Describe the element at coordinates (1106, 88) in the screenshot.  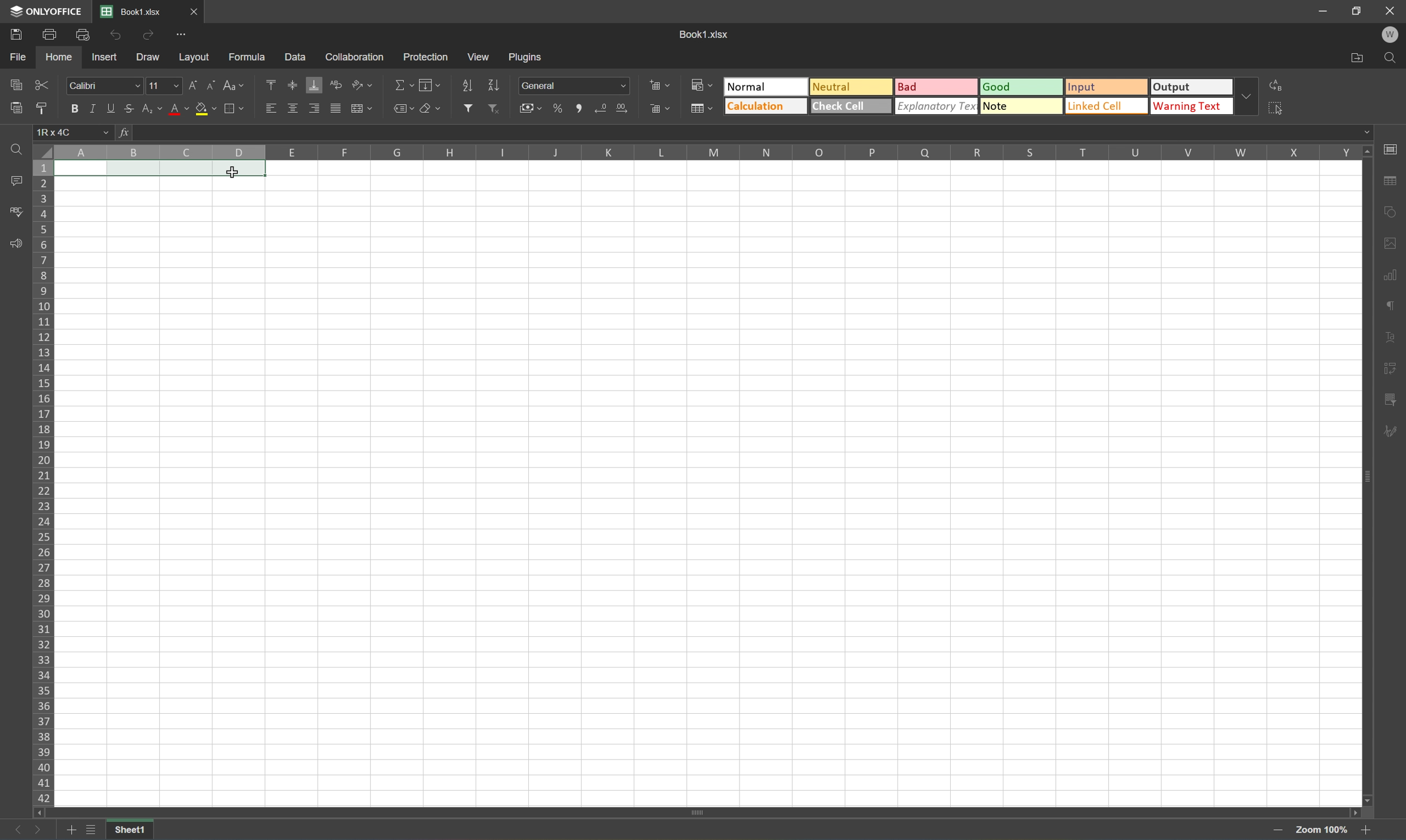
I see `Input` at that location.